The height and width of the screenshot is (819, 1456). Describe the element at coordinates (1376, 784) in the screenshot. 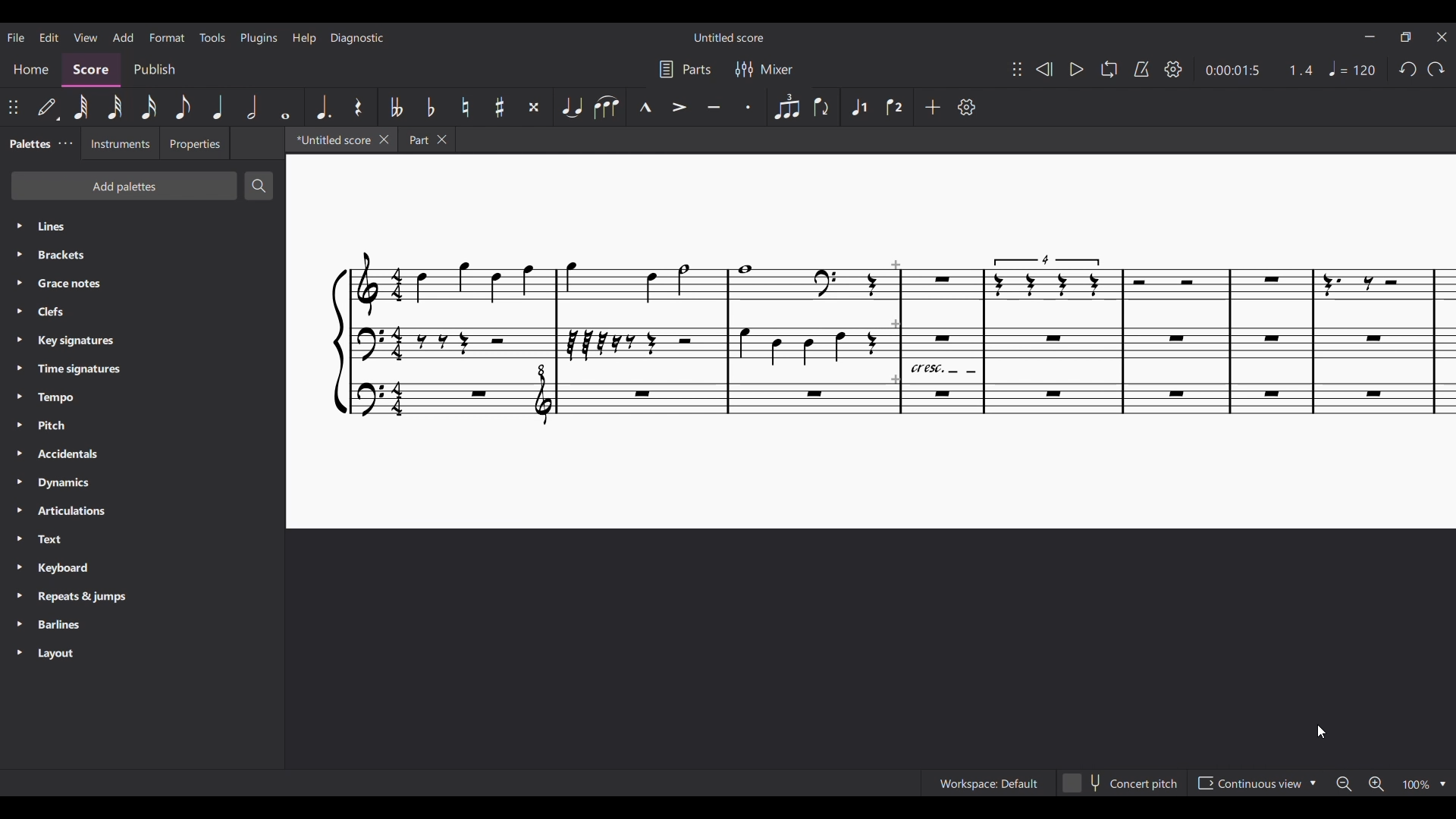

I see `Zoom in` at that location.